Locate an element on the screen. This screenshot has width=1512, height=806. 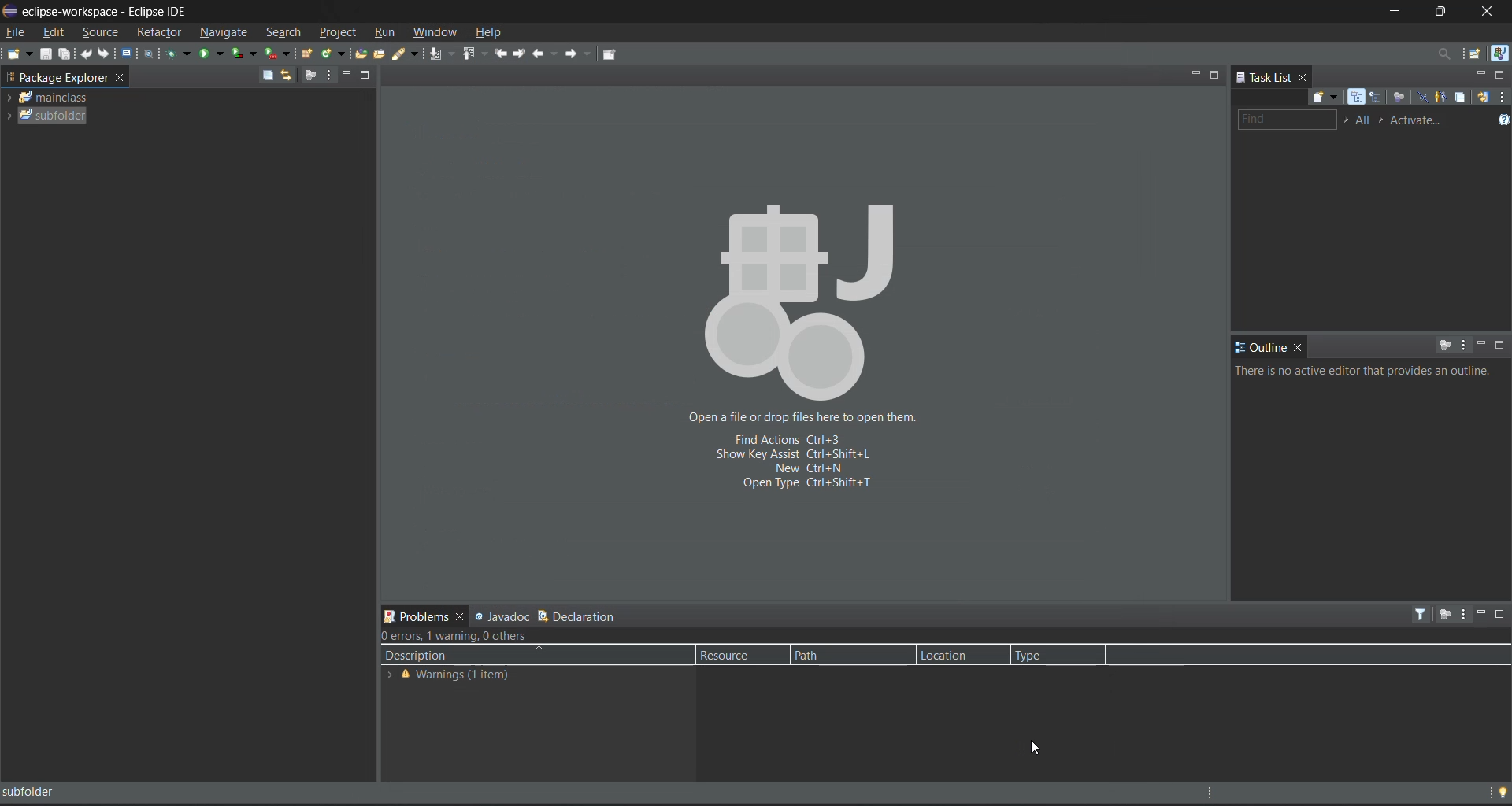
save is located at coordinates (46, 54).